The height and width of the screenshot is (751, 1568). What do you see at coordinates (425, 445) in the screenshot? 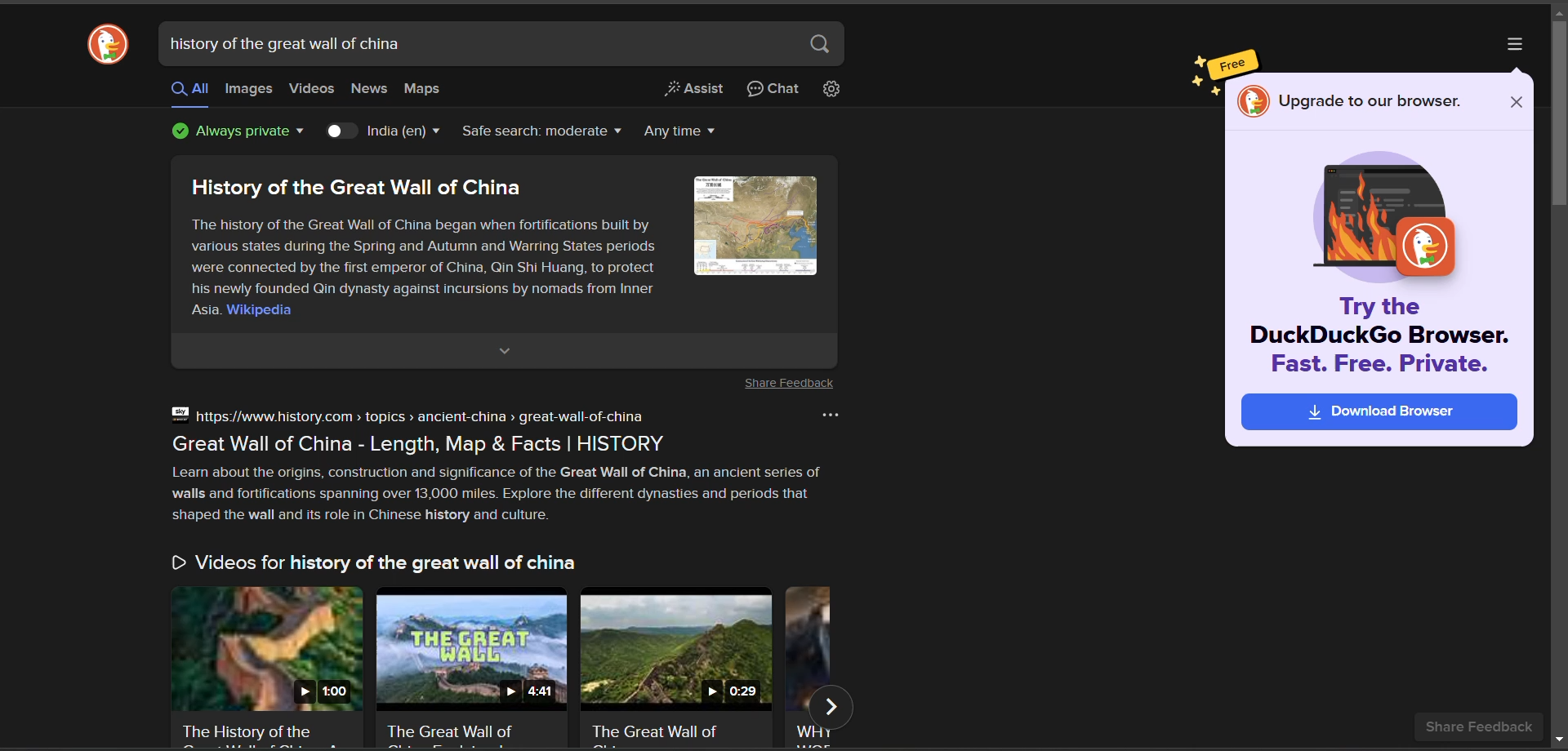
I see `Great Wall of China - Length, Map & Facts | HISTORY` at bounding box center [425, 445].